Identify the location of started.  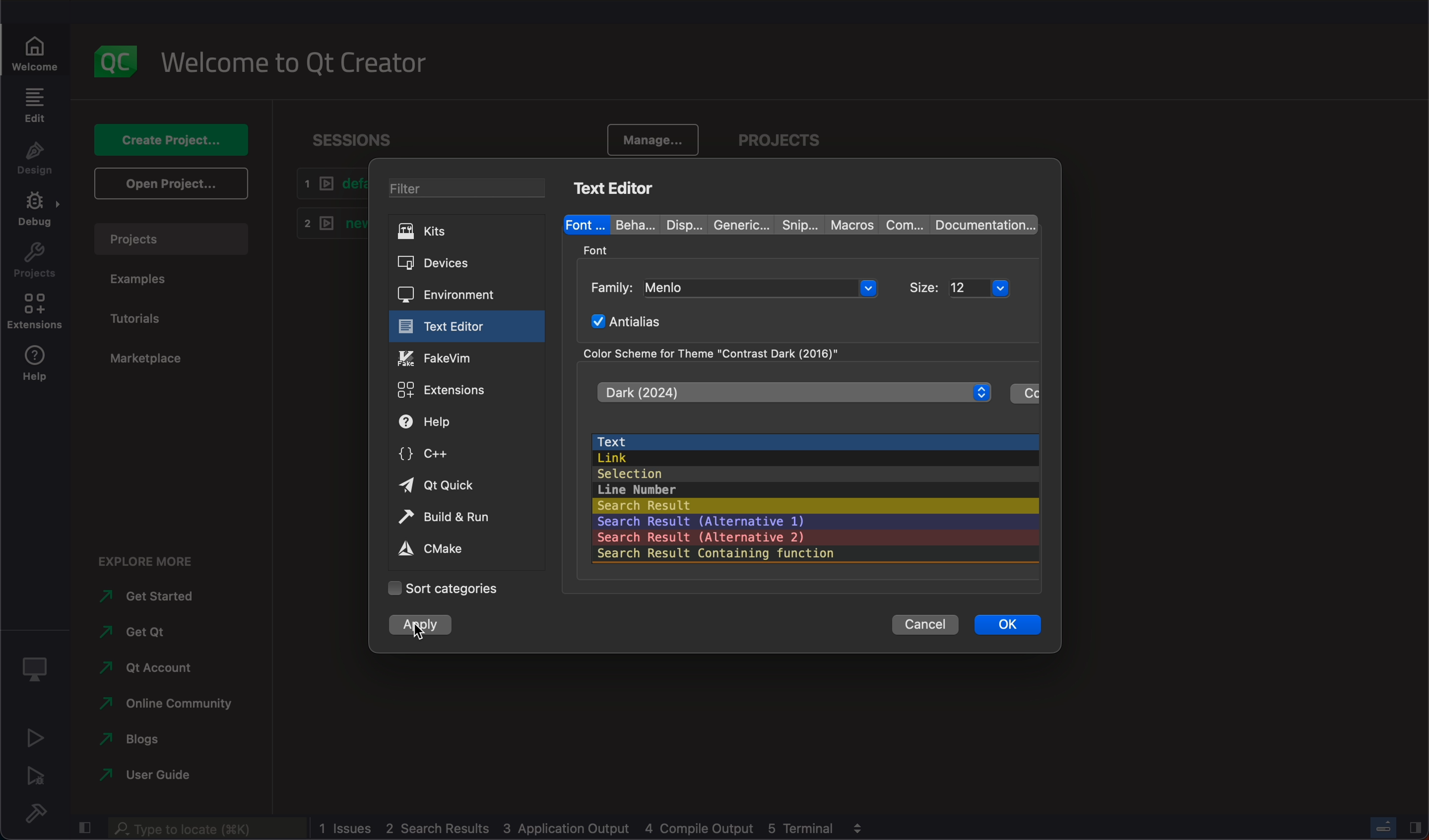
(141, 598).